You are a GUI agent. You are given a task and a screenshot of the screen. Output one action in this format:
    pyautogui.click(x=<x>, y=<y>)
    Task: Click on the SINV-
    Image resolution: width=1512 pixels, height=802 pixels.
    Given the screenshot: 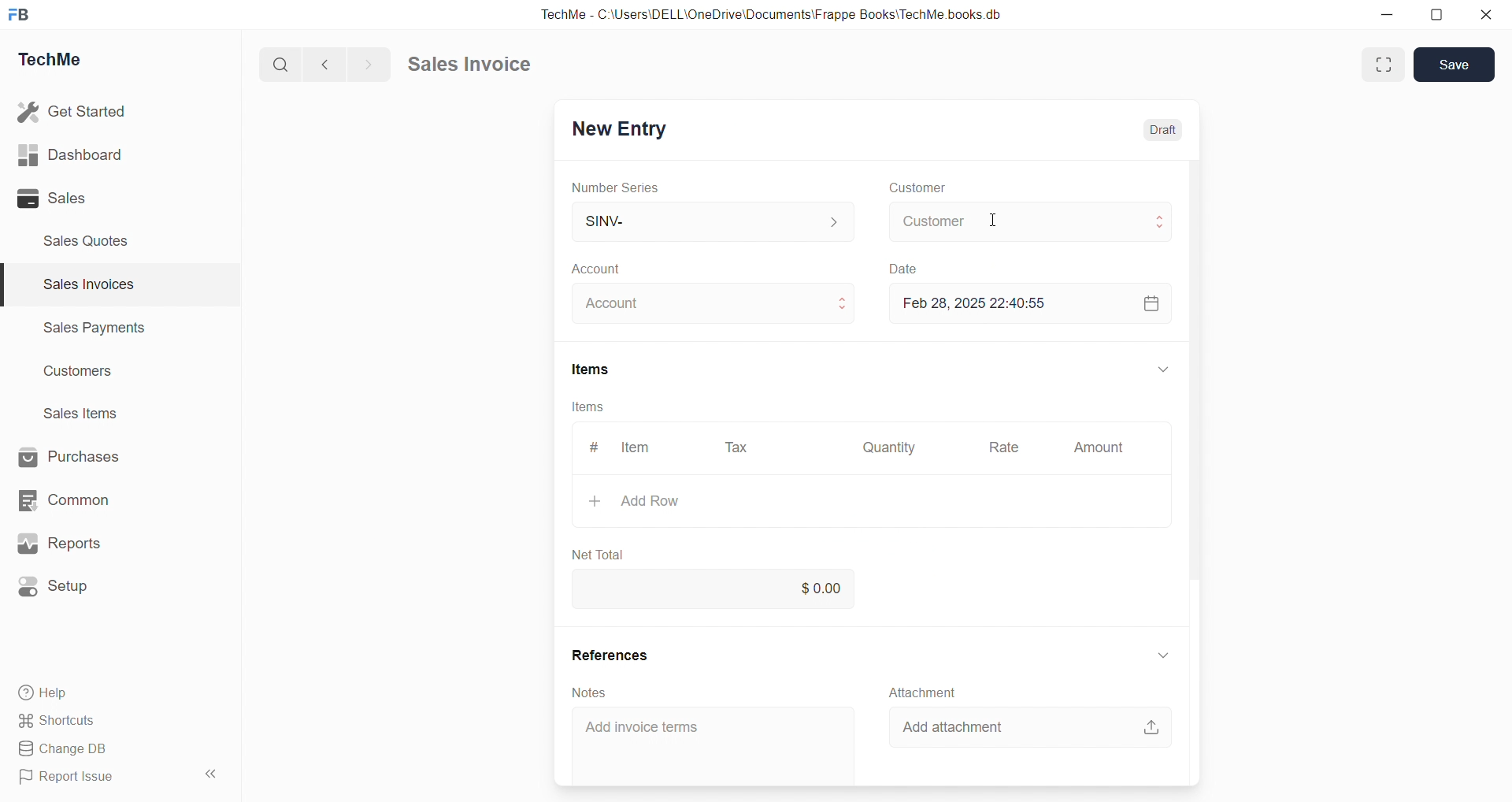 What is the action you would take?
    pyautogui.click(x=713, y=220)
    